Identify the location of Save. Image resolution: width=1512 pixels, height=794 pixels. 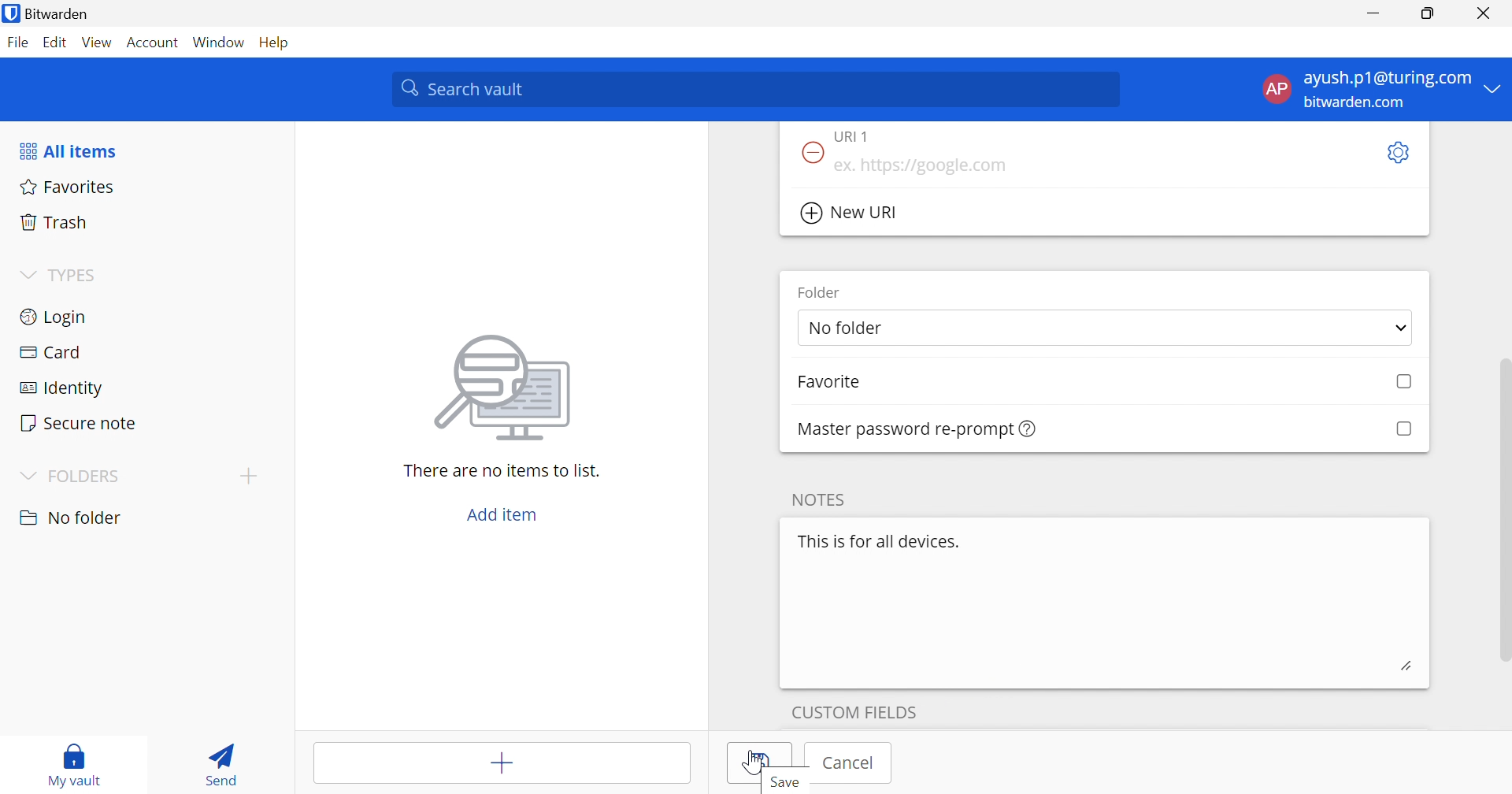
(795, 782).